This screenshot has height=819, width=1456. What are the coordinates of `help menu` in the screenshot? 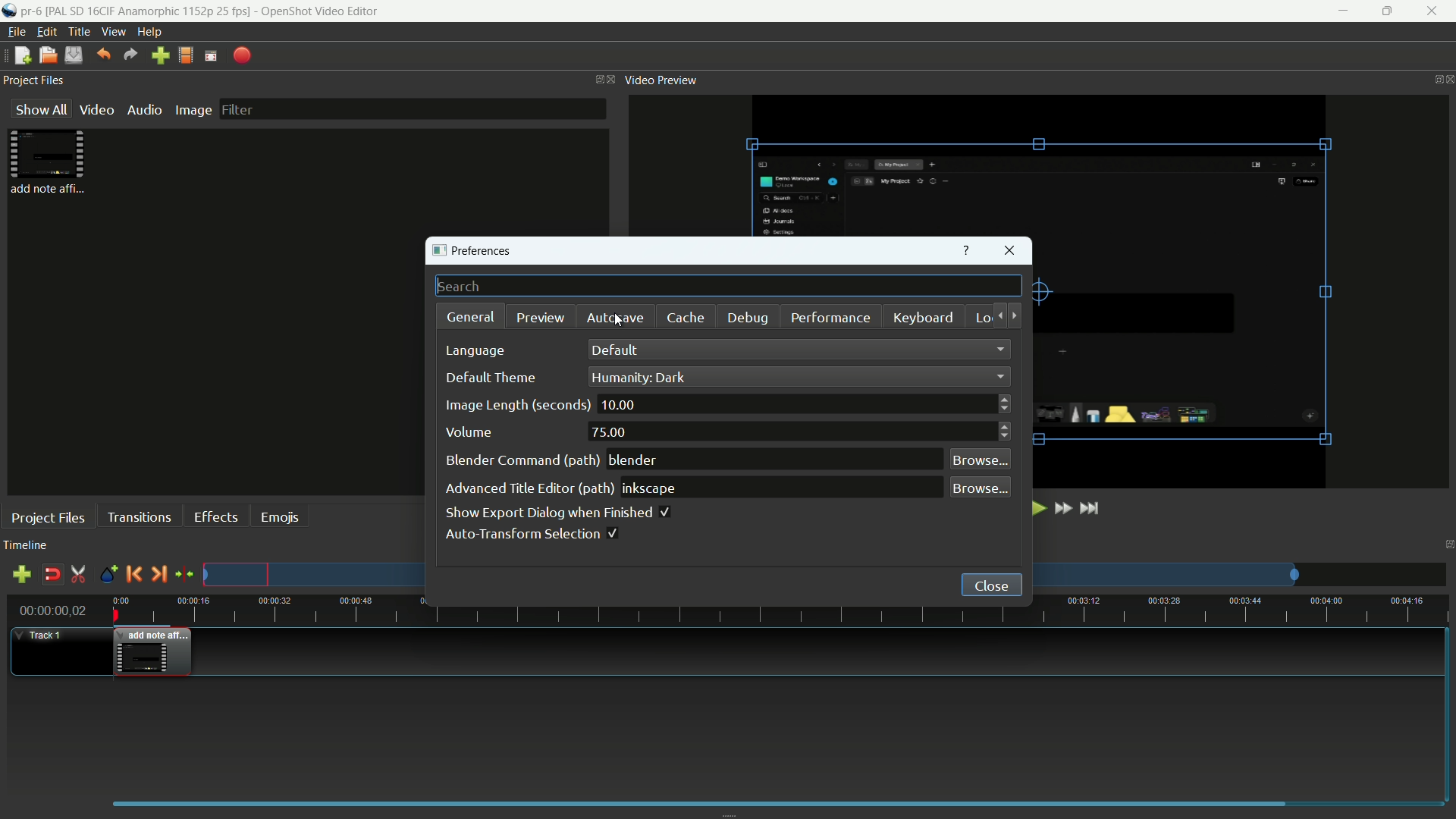 It's located at (149, 33).